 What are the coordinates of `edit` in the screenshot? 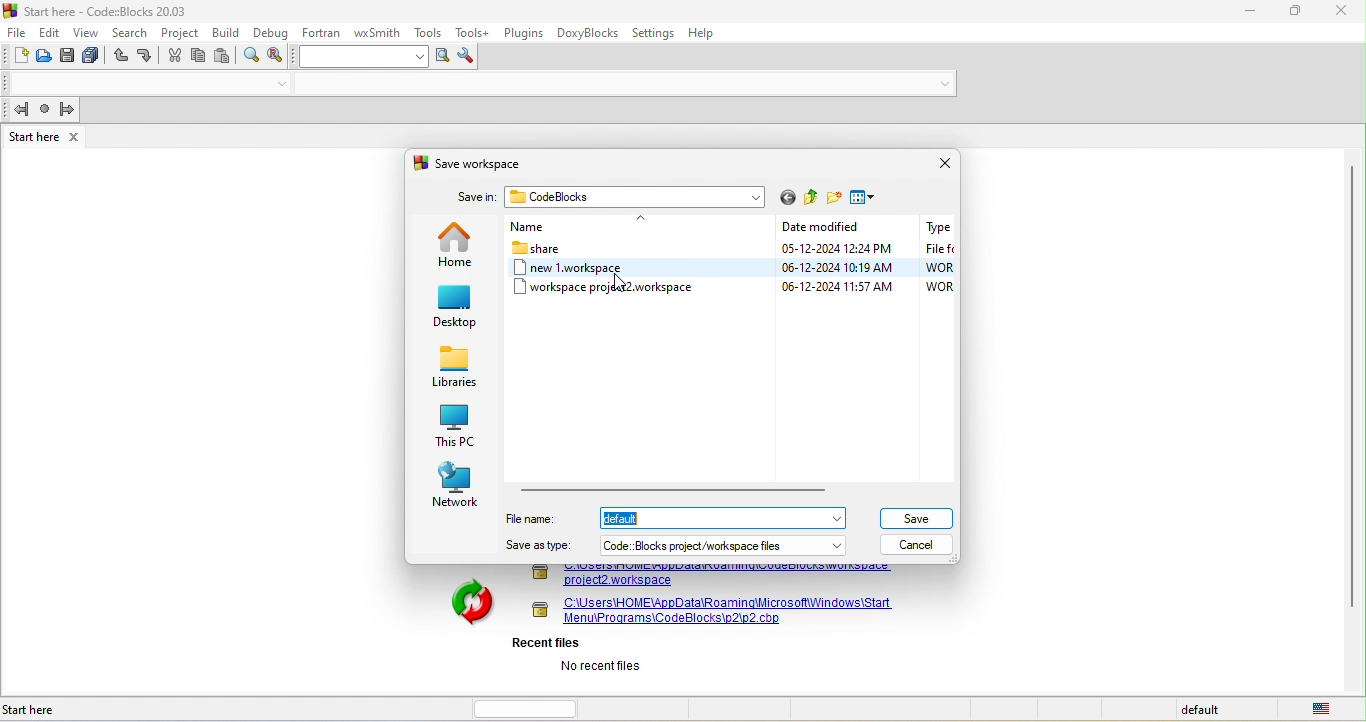 It's located at (50, 31).